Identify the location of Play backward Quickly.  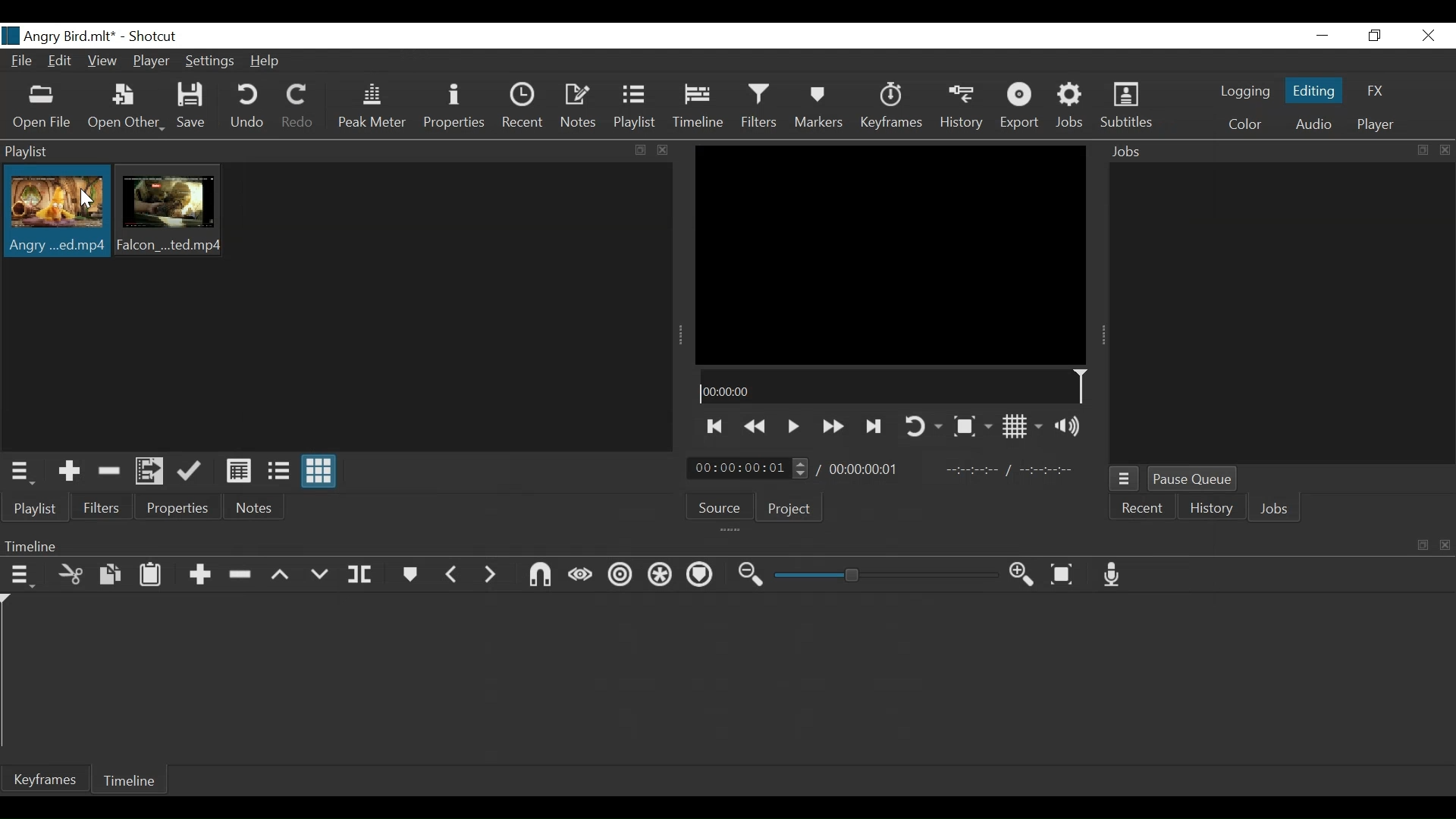
(758, 425).